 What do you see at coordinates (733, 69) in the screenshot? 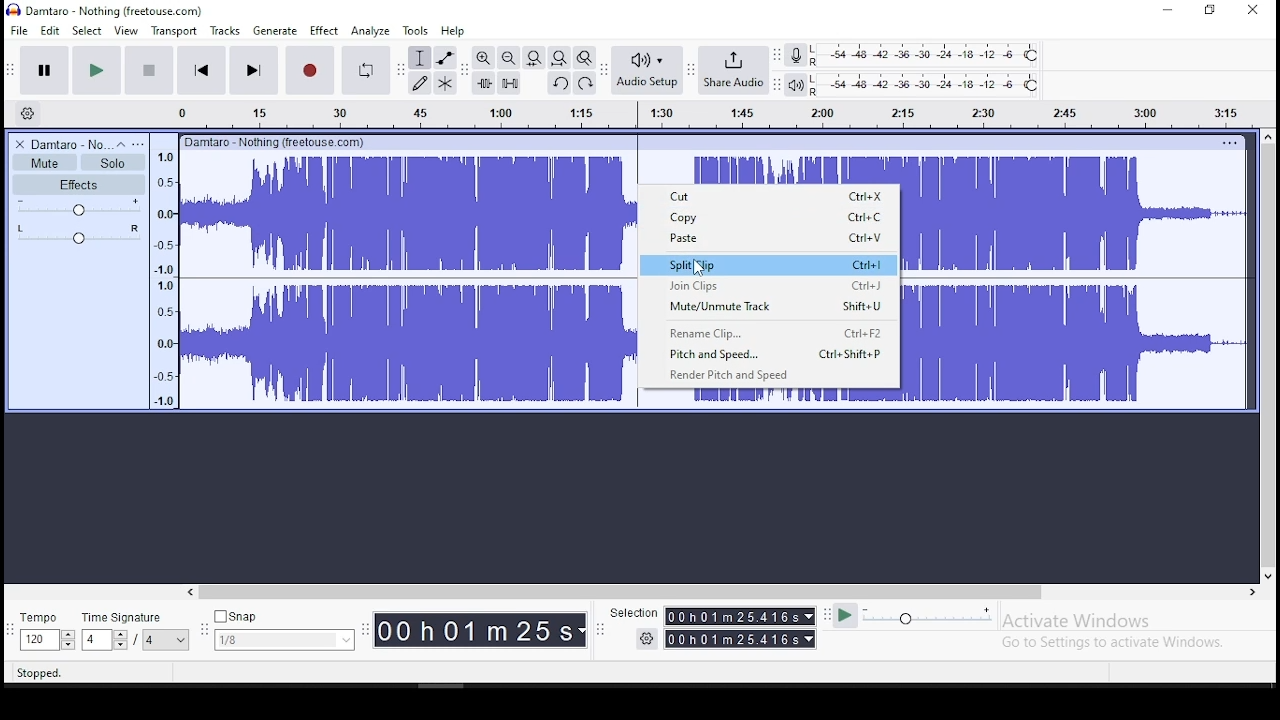
I see `share audio` at bounding box center [733, 69].